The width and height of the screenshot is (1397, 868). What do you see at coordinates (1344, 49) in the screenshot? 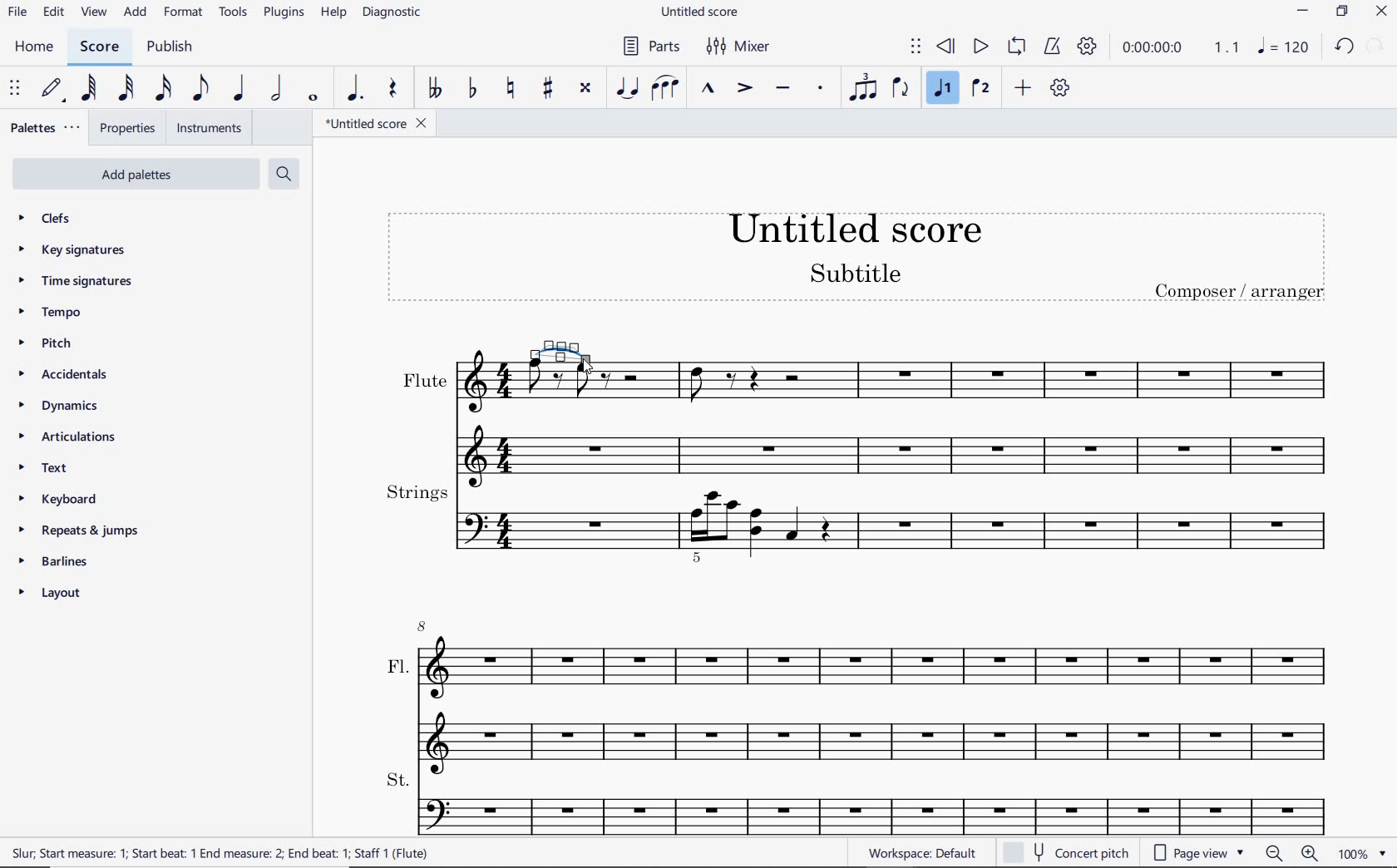
I see `undo` at bounding box center [1344, 49].